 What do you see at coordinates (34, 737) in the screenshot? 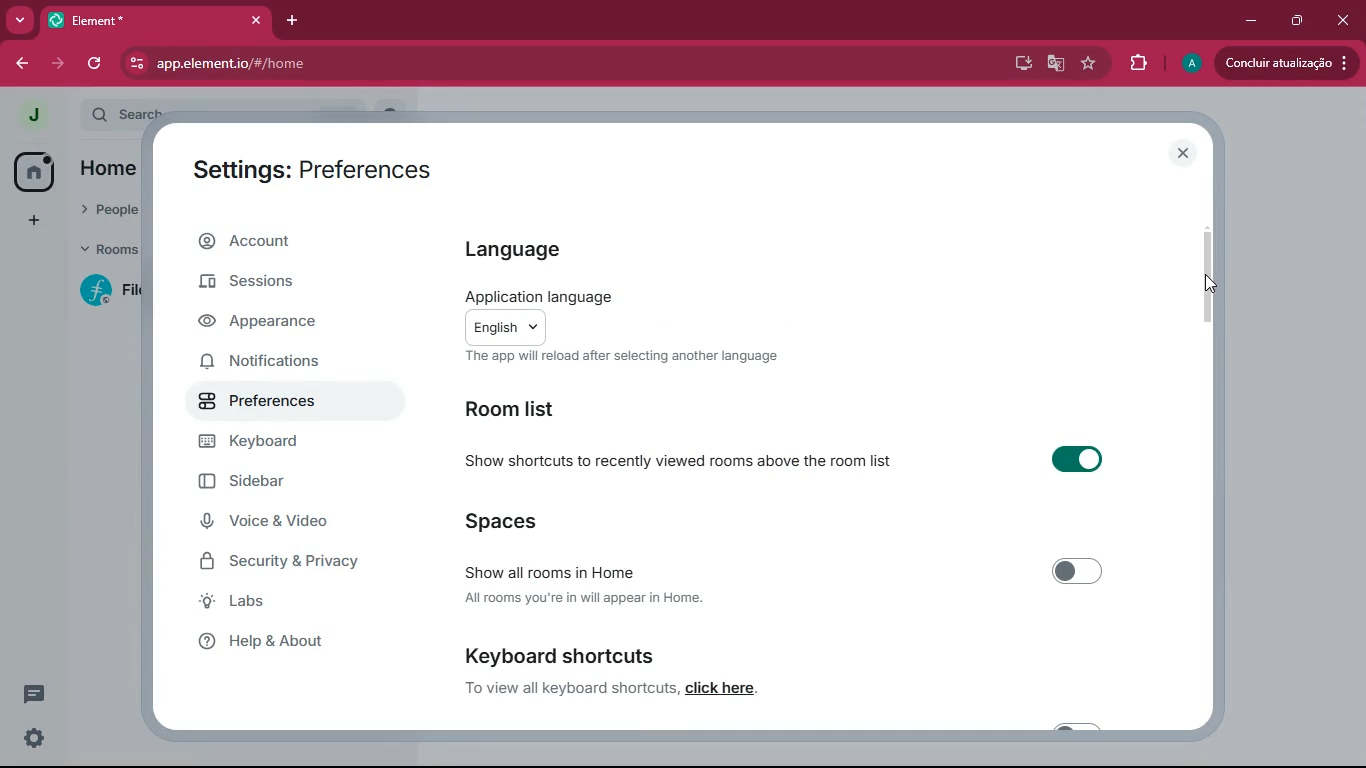
I see `quick settings` at bounding box center [34, 737].